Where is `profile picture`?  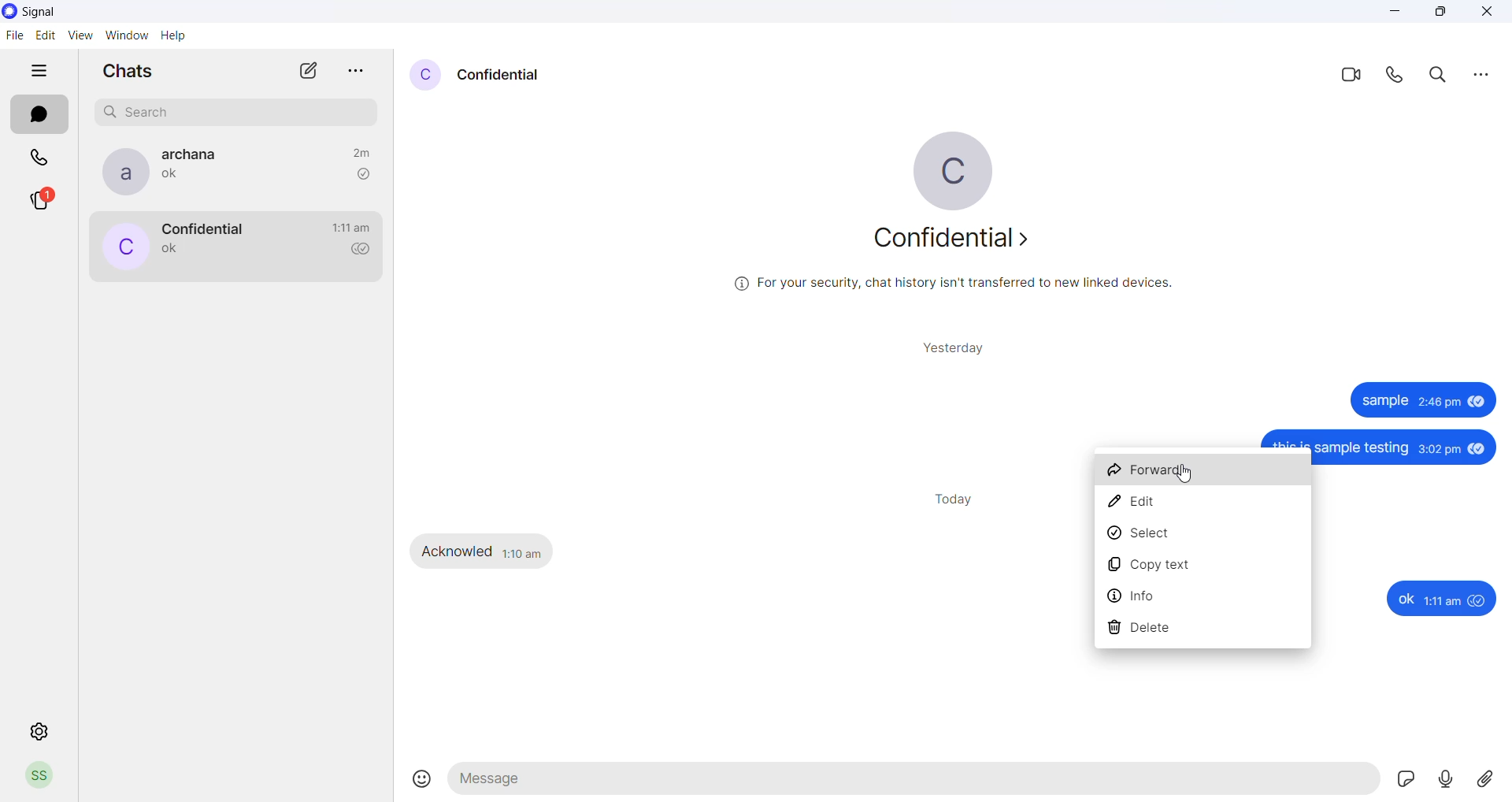
profile picture is located at coordinates (122, 248).